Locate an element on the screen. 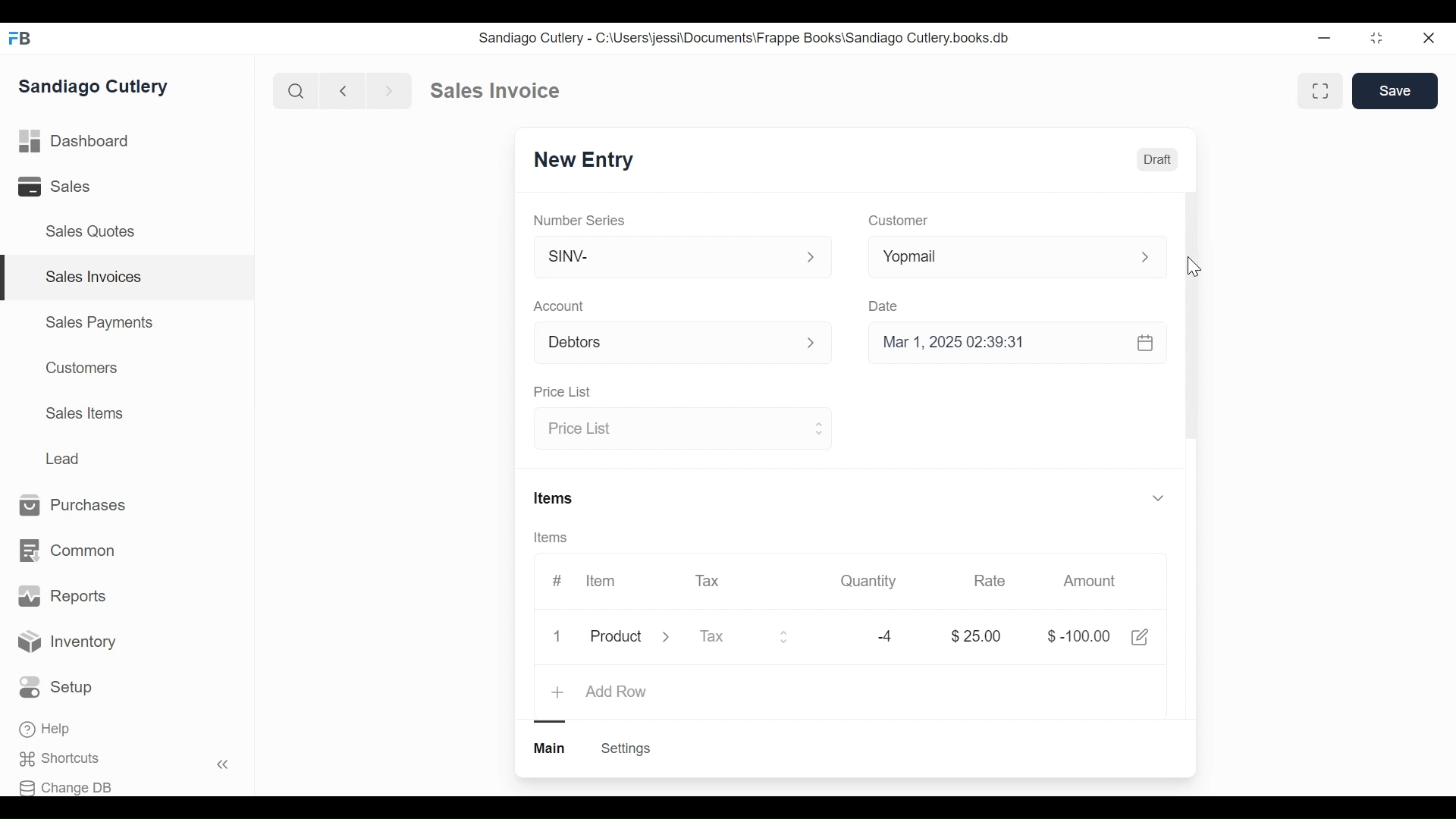 This screenshot has height=819, width=1456. Cursor is located at coordinates (1194, 267).